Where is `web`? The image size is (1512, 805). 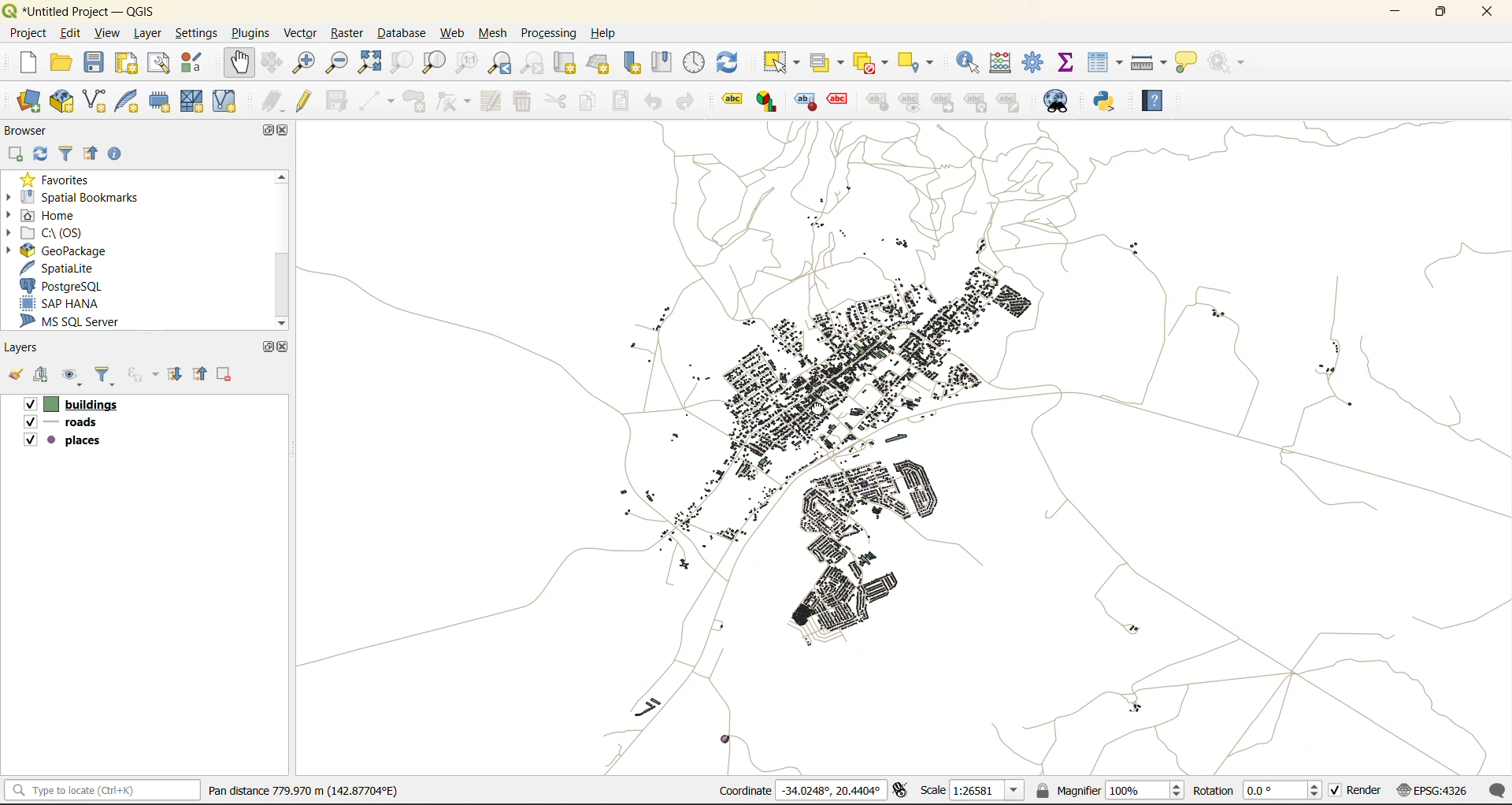 web is located at coordinates (454, 32).